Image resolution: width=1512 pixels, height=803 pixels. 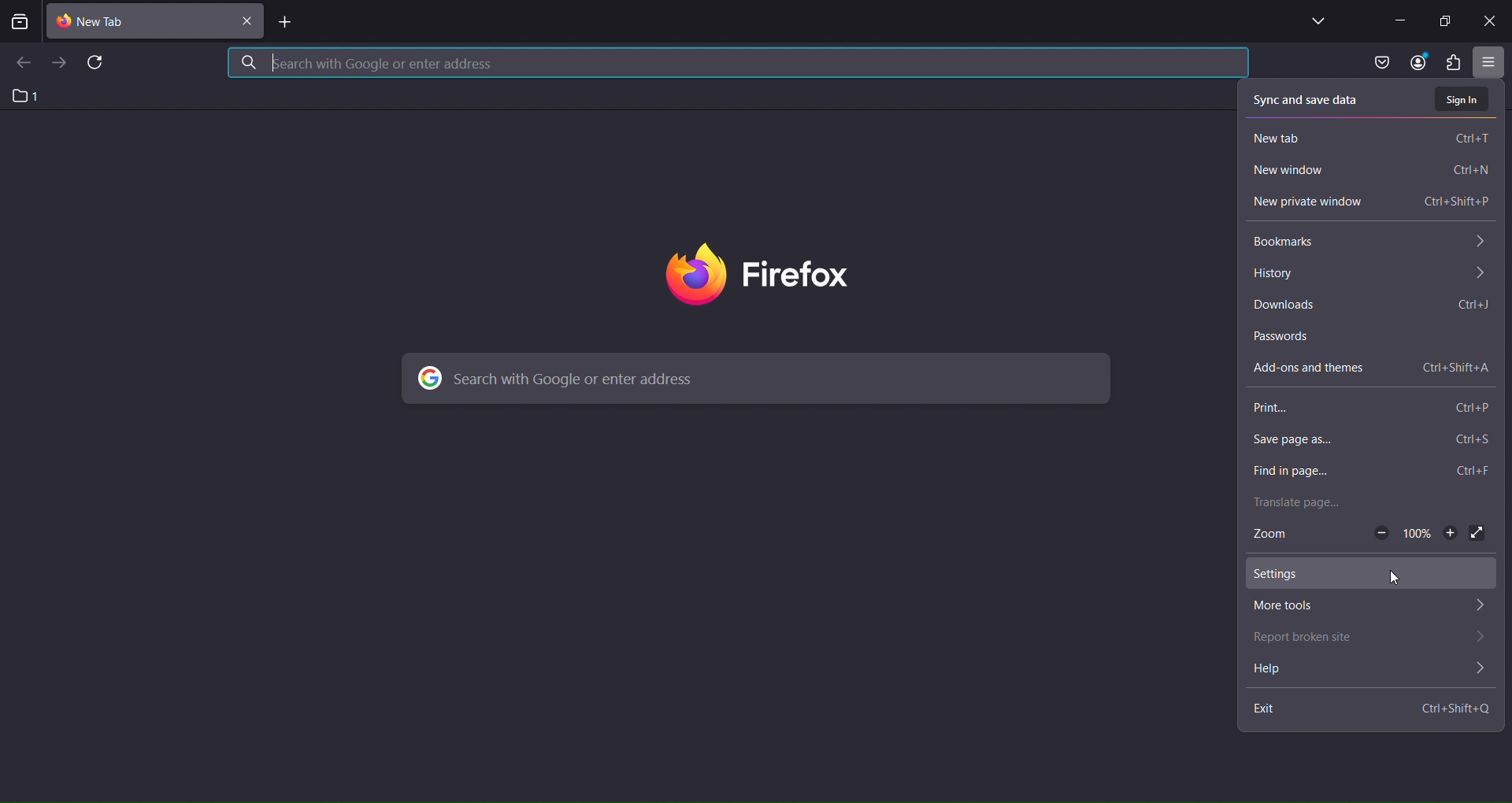 I want to click on new private window, so click(x=1371, y=204).